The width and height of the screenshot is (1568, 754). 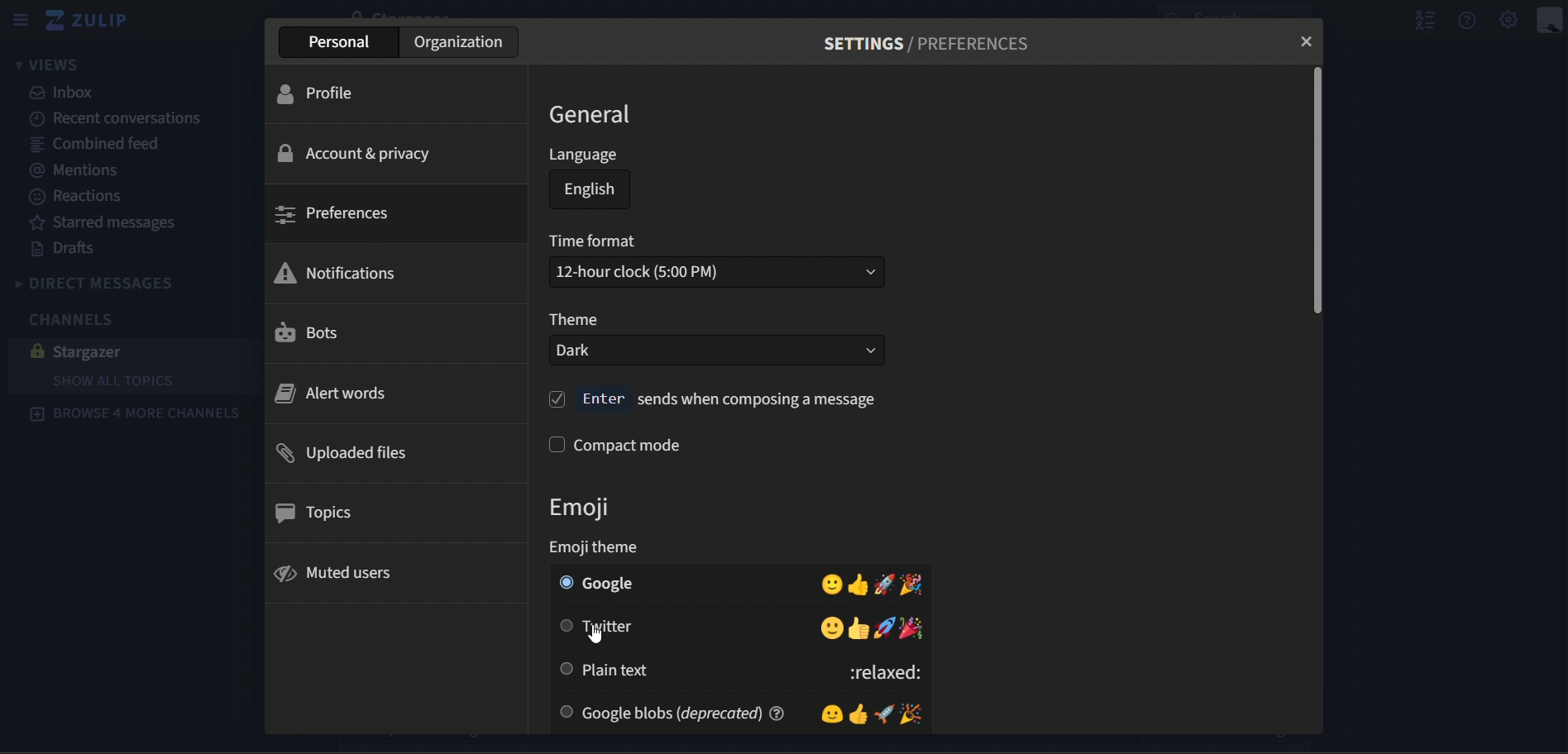 I want to click on zulip, so click(x=94, y=21).